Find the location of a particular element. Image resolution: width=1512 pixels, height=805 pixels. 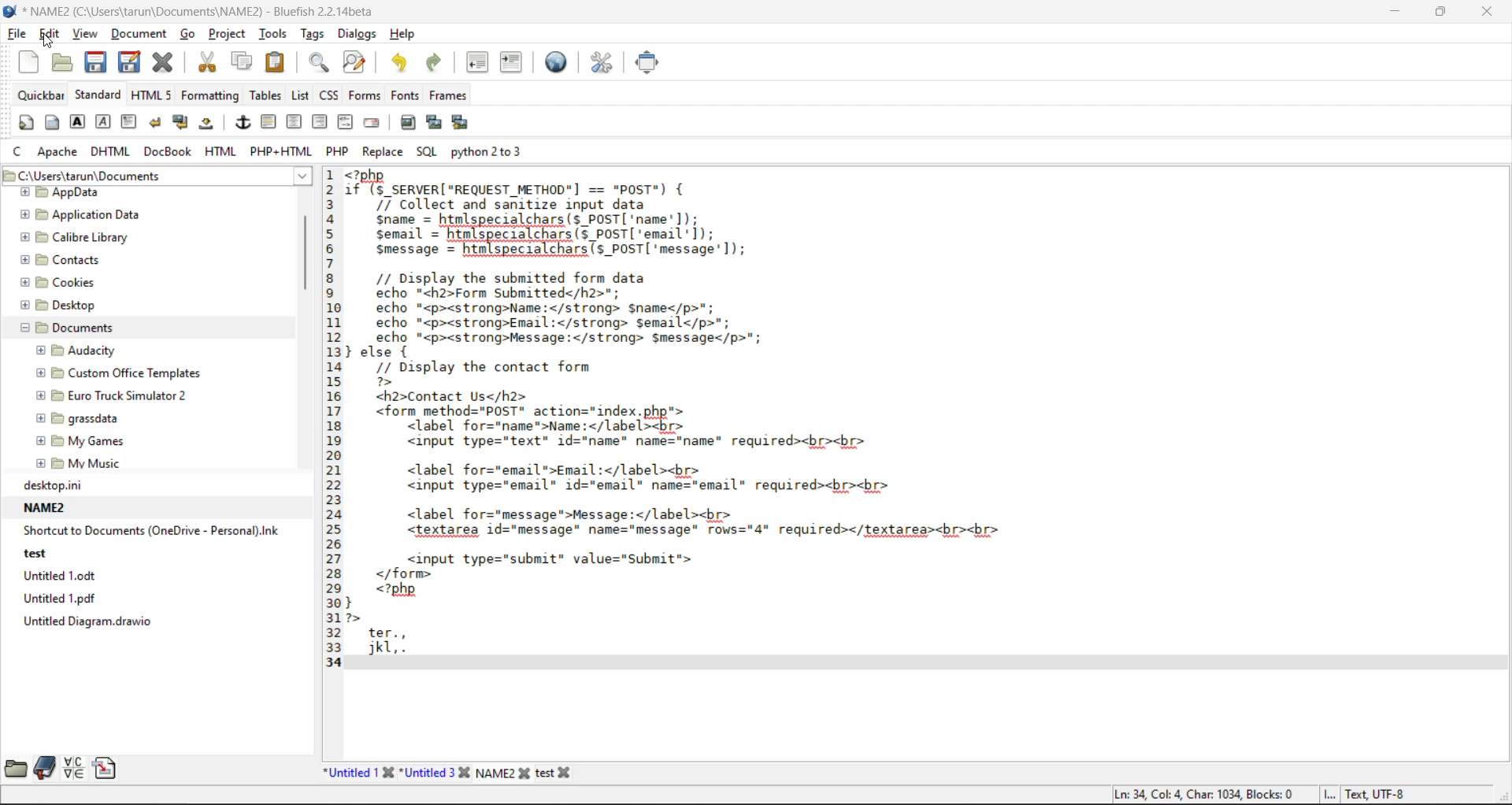

help is located at coordinates (405, 36).